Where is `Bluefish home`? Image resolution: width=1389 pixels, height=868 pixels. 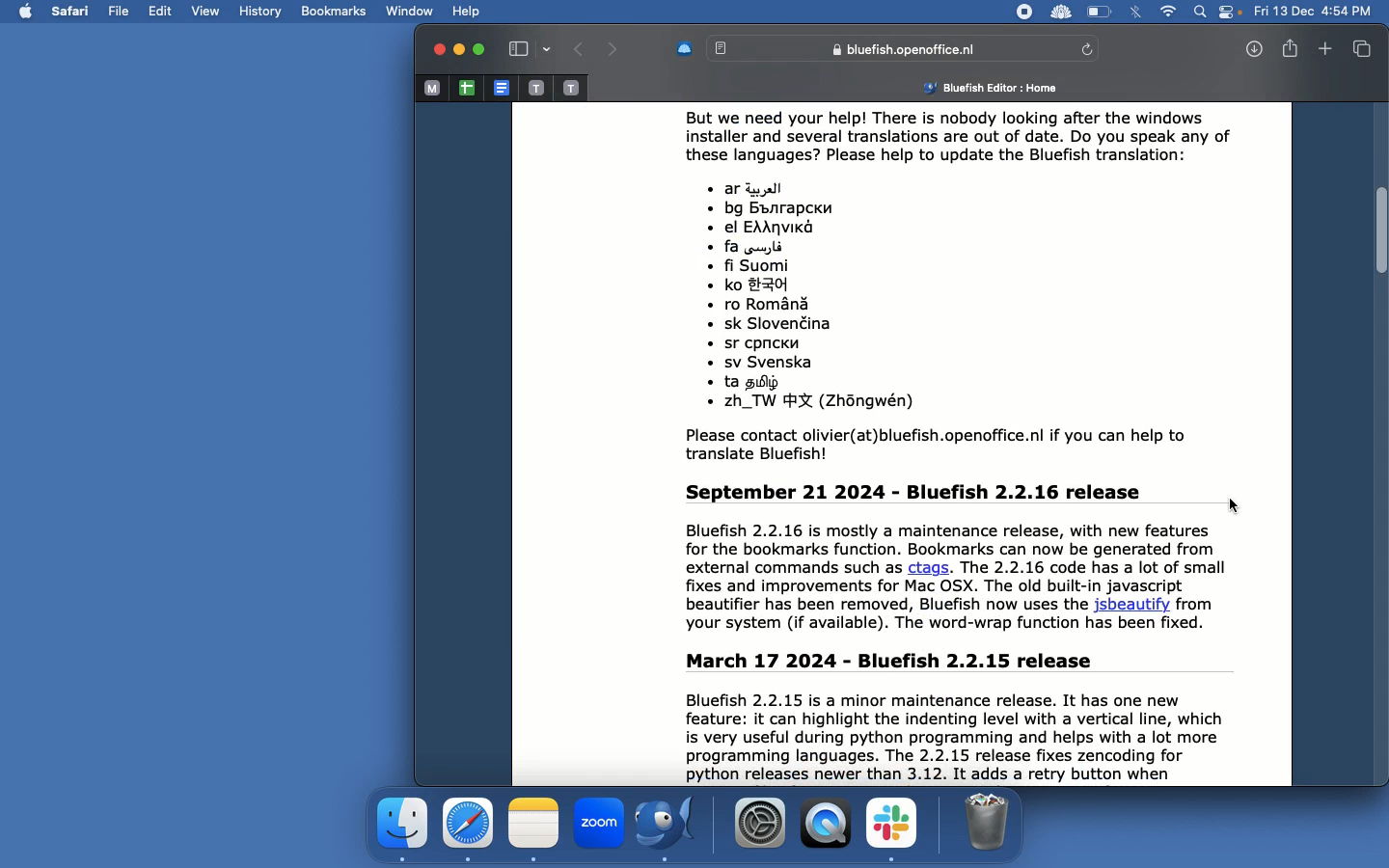 Bluefish home is located at coordinates (982, 88).